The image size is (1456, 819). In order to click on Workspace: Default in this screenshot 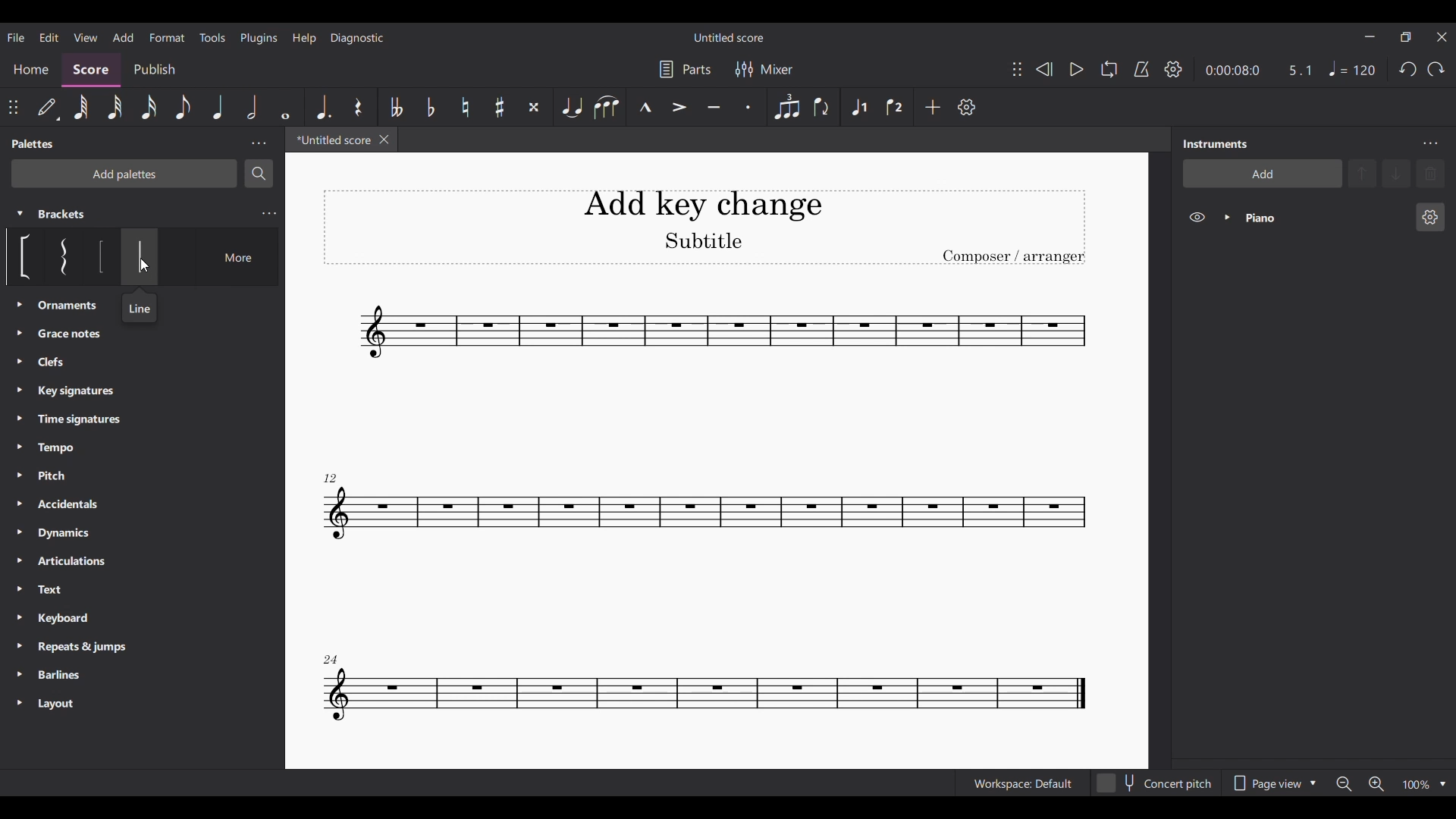, I will do `click(1023, 783)`.